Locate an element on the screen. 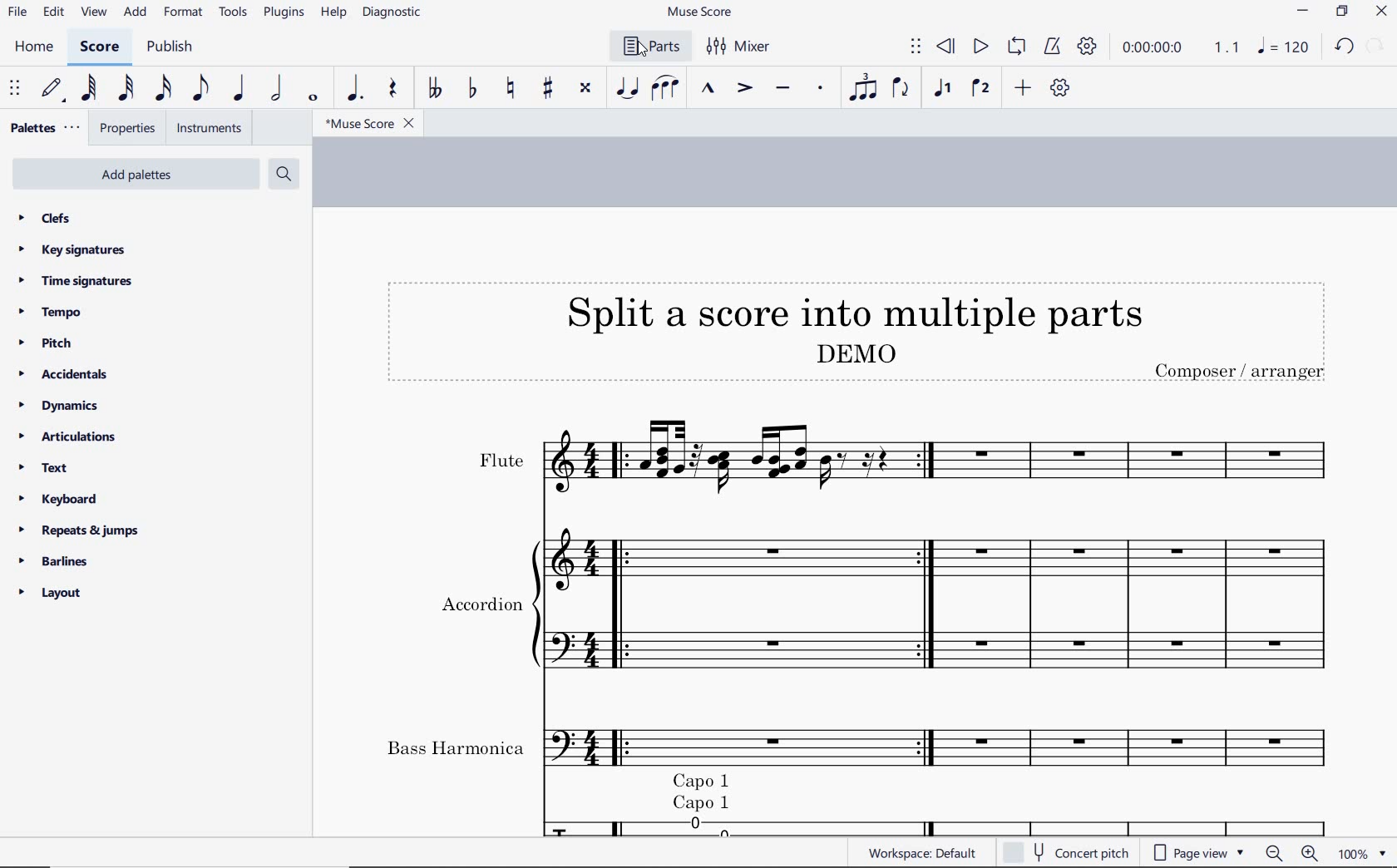  home is located at coordinates (37, 47).